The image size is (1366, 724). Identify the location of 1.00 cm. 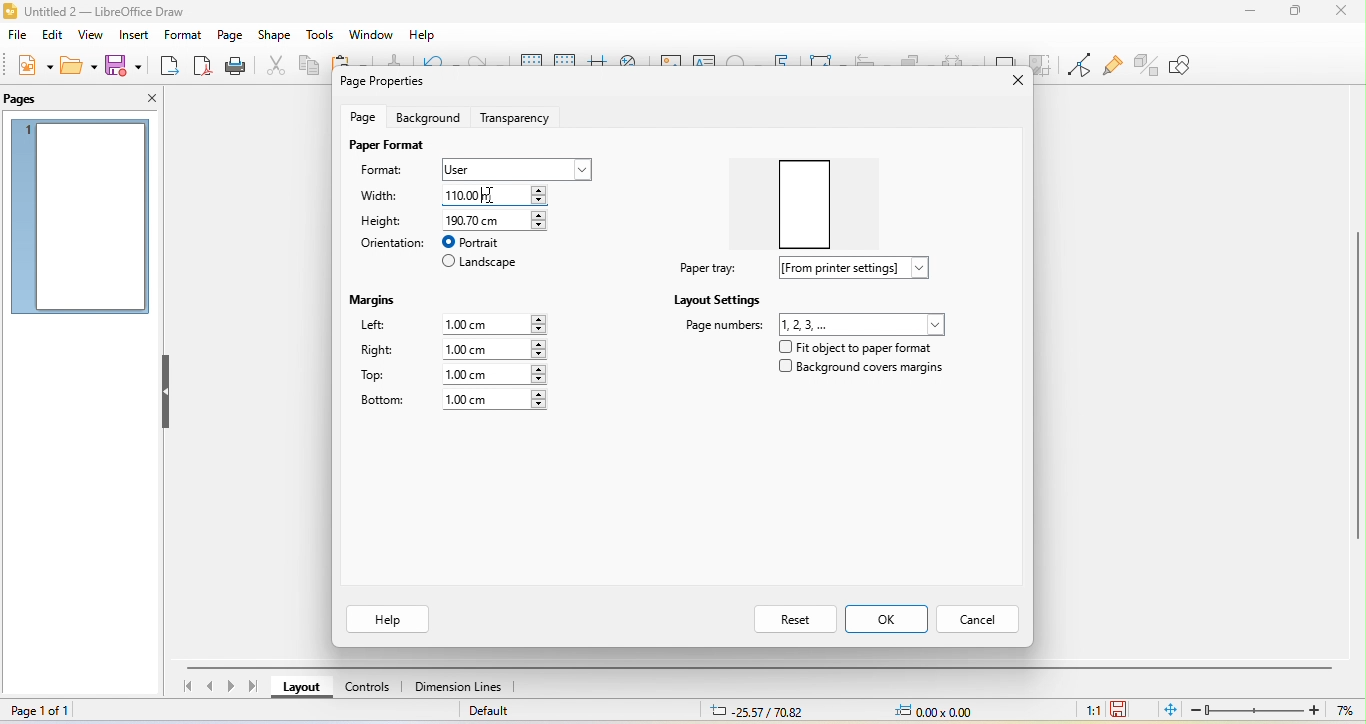
(498, 322).